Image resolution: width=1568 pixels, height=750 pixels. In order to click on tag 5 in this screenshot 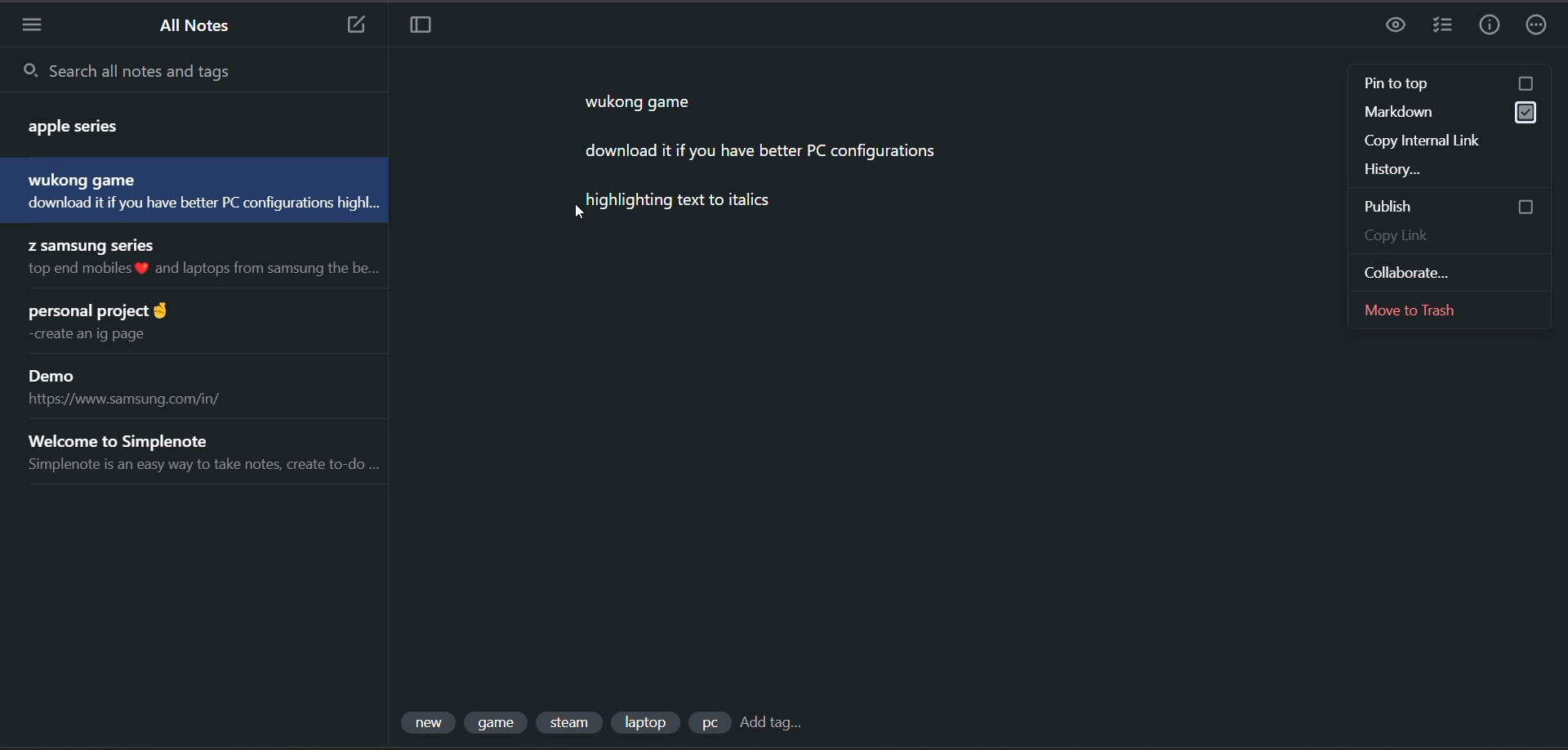, I will do `click(708, 723)`.